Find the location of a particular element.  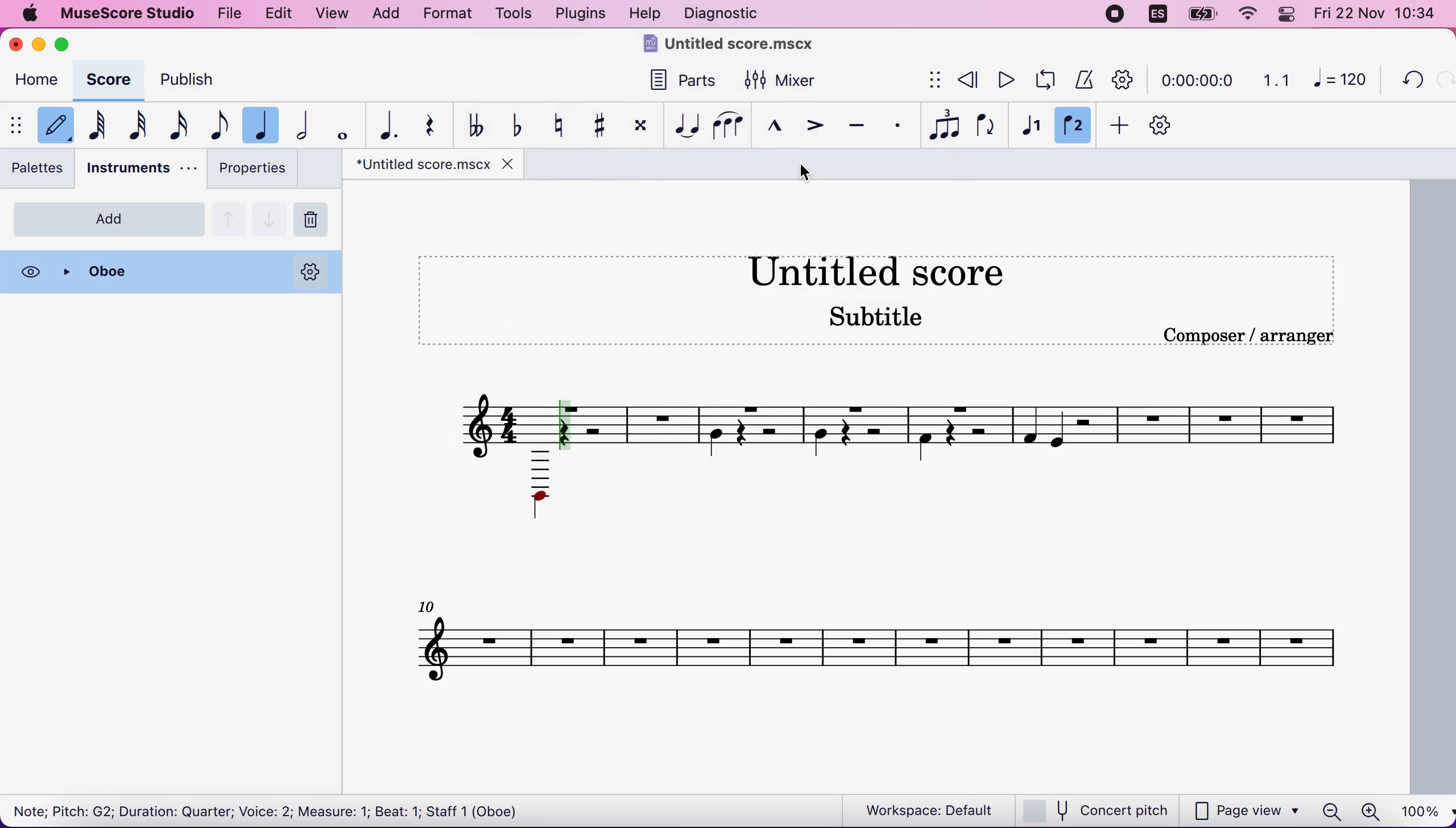

page view is located at coordinates (1248, 810).